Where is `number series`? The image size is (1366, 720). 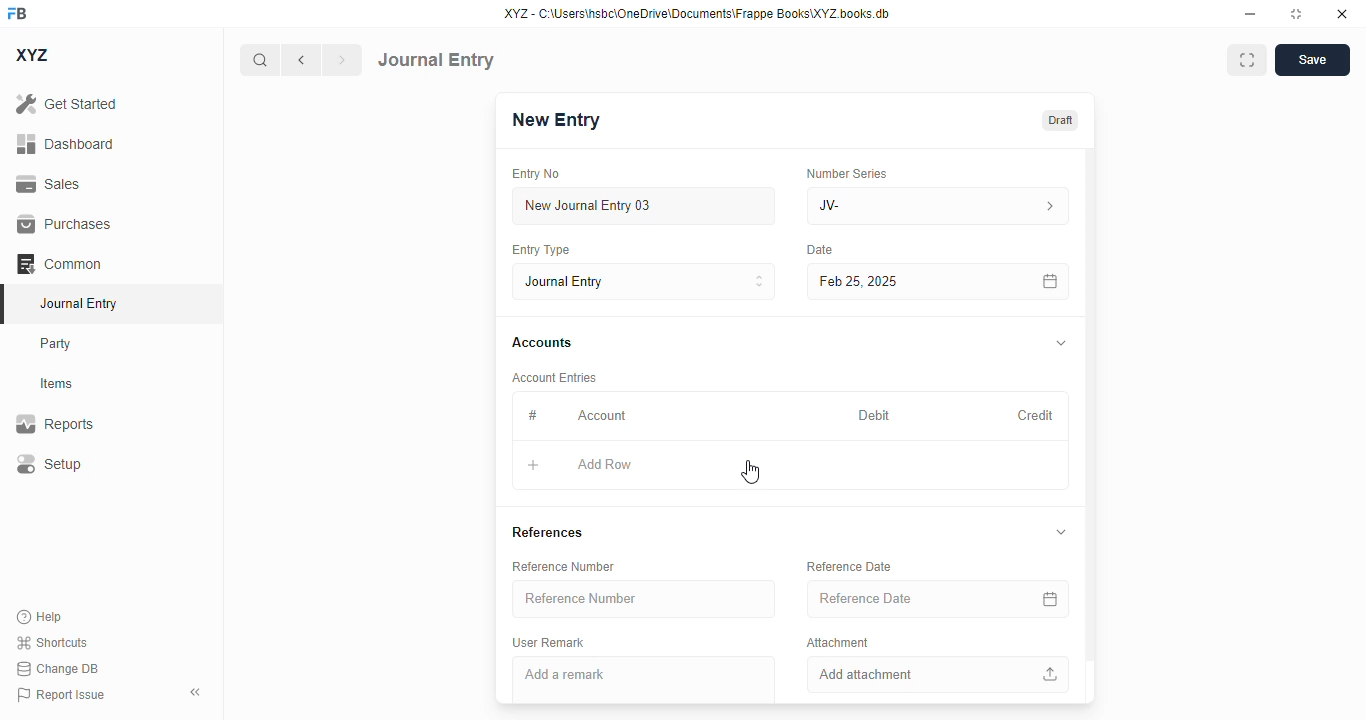
number series is located at coordinates (846, 173).